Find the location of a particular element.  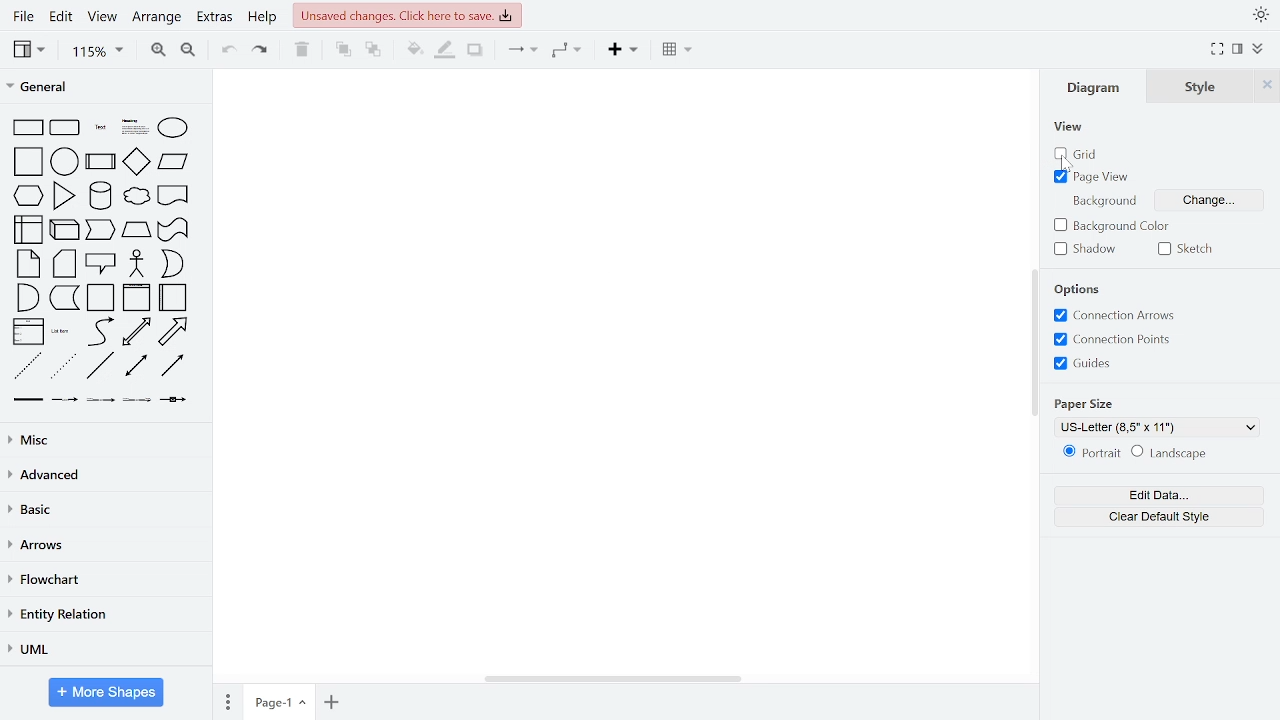

bidirectional arrow is located at coordinates (139, 332).